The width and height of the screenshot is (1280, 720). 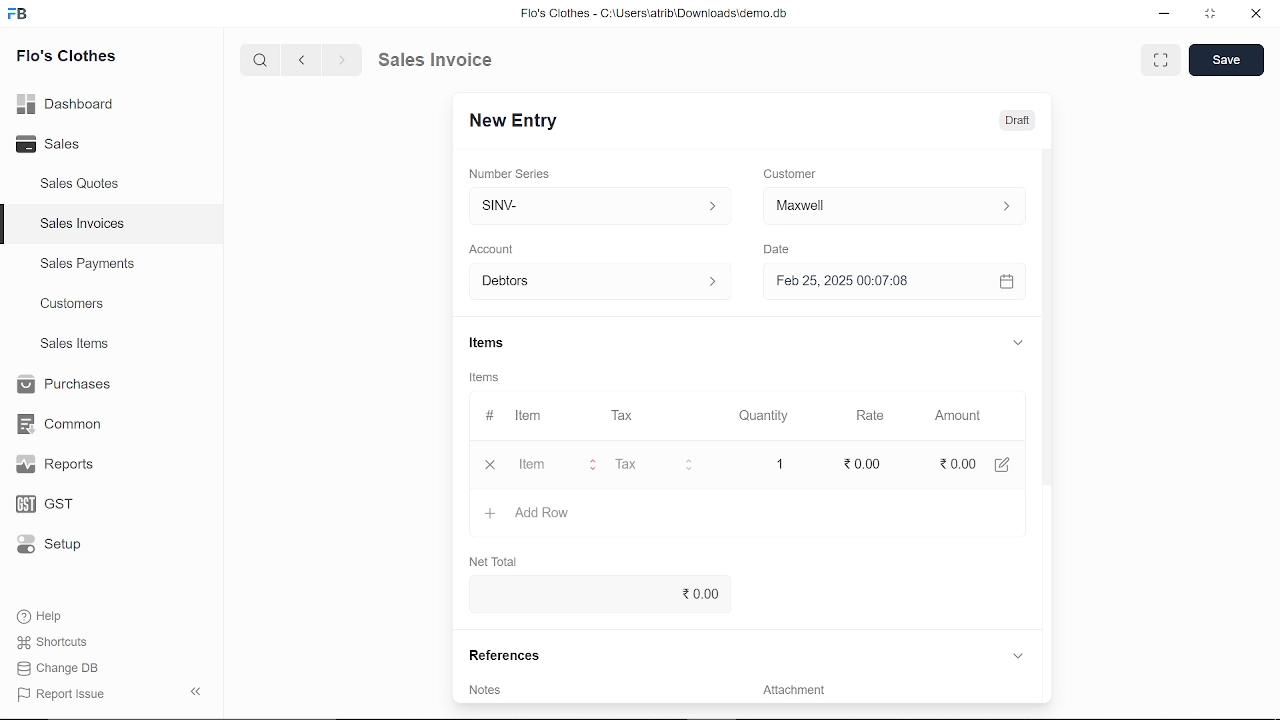 I want to click on expand, so click(x=1020, y=344).